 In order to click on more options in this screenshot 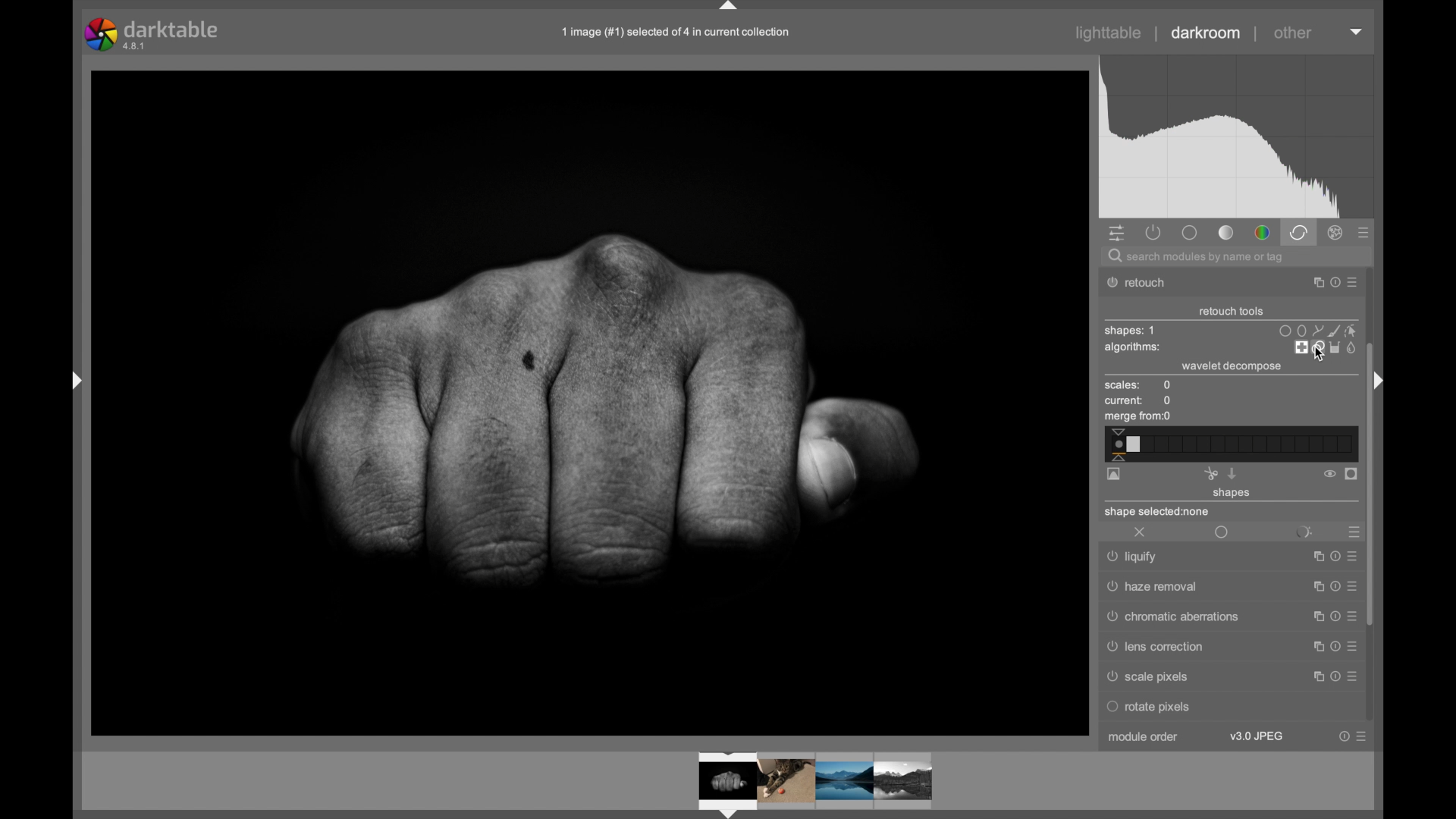, I will do `click(1351, 617)`.